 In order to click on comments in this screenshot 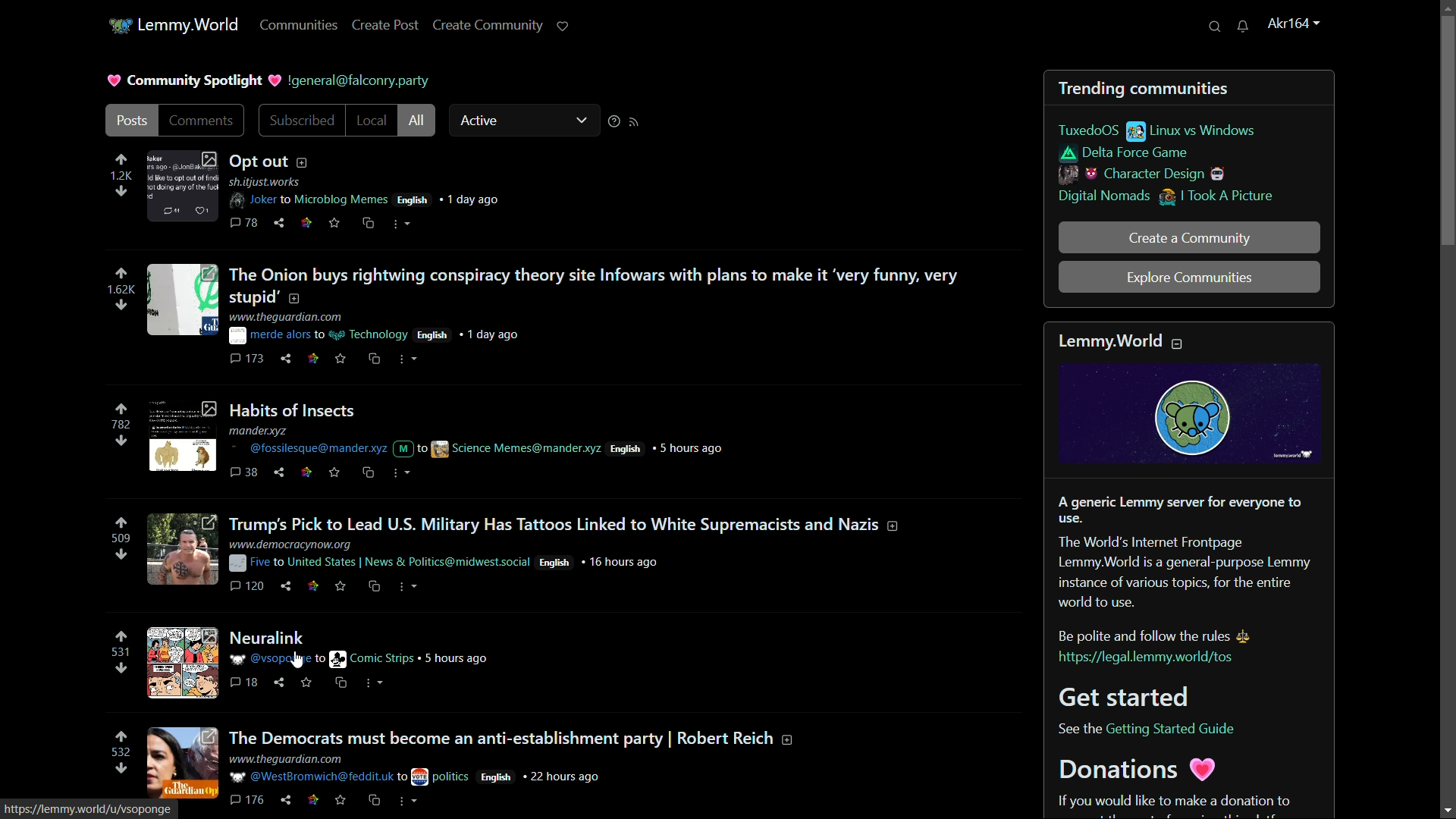, I will do `click(204, 122)`.